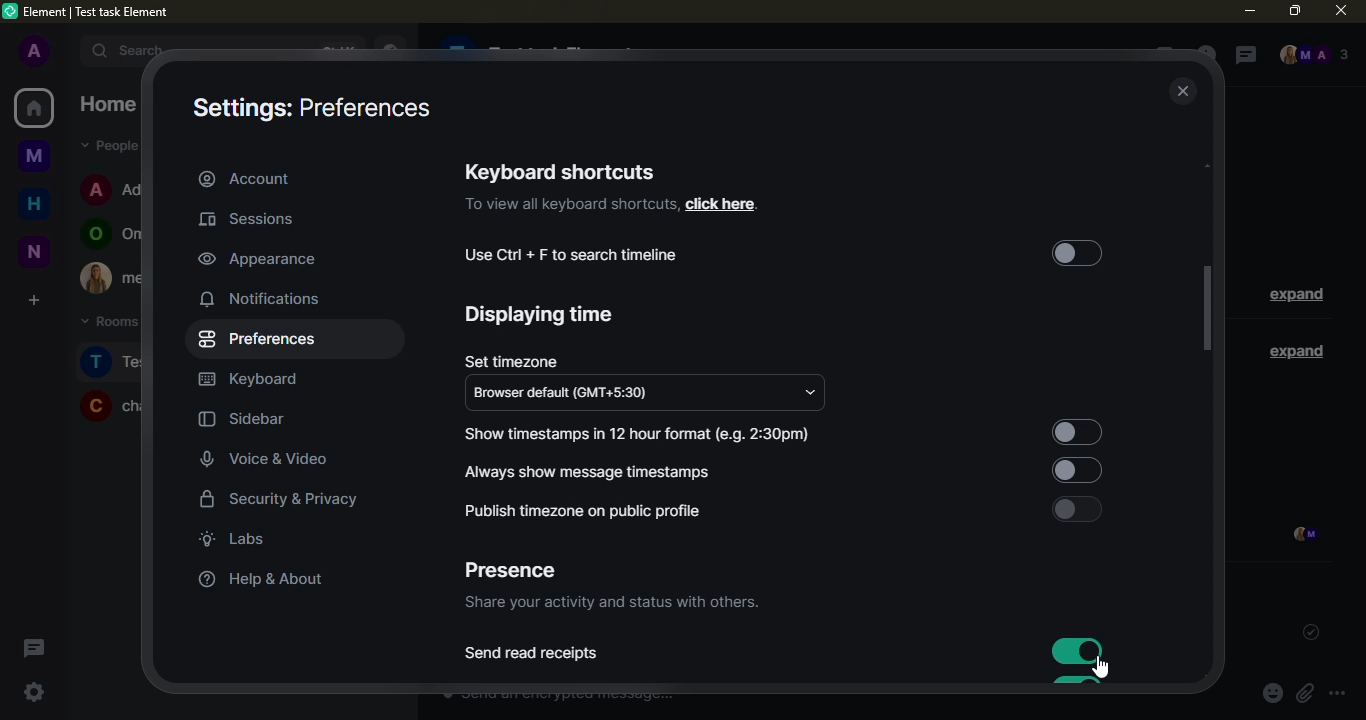  I want to click on myspace, so click(35, 154).